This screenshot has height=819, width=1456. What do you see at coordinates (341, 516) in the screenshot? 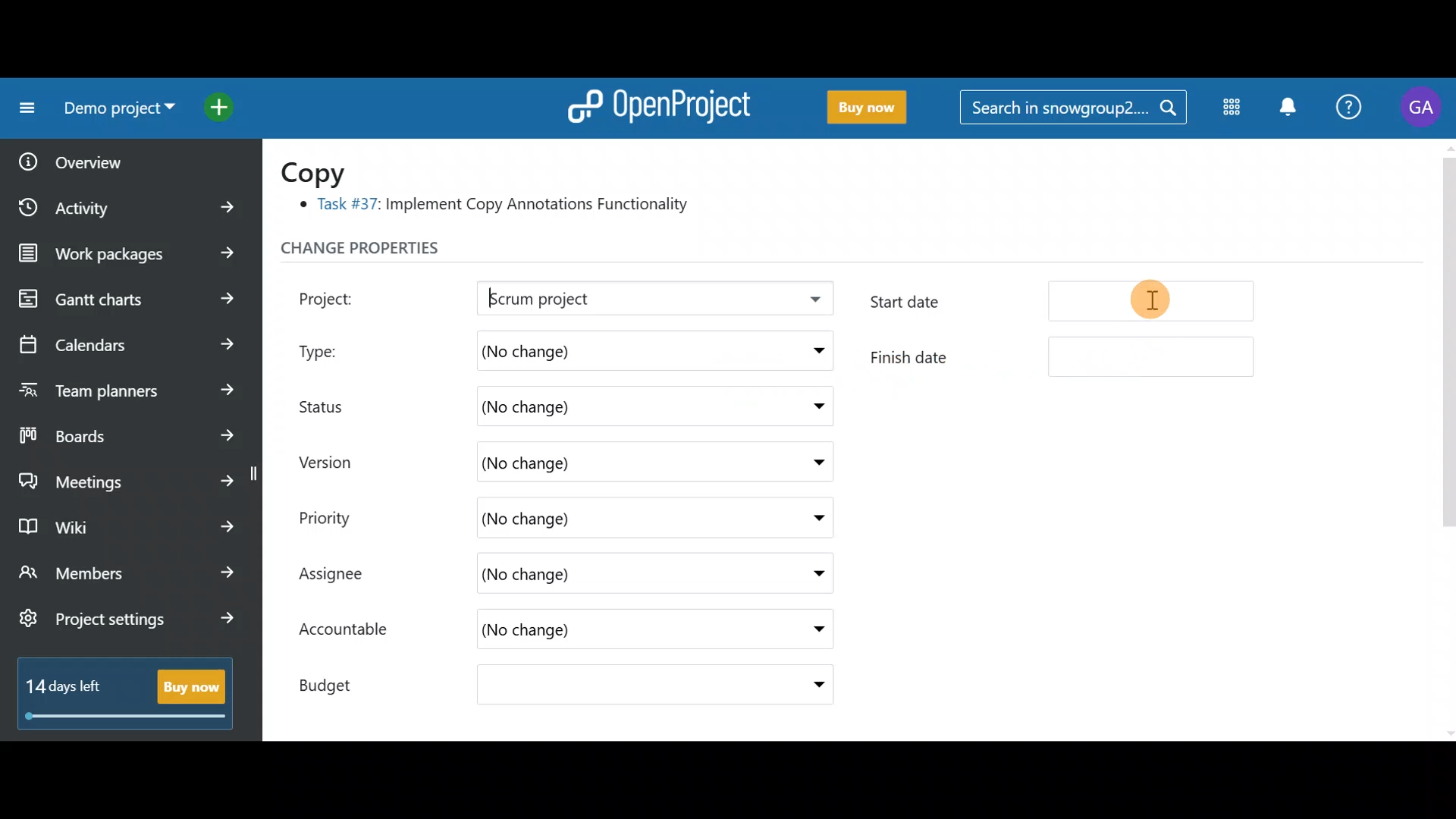
I see `Priority` at bounding box center [341, 516].